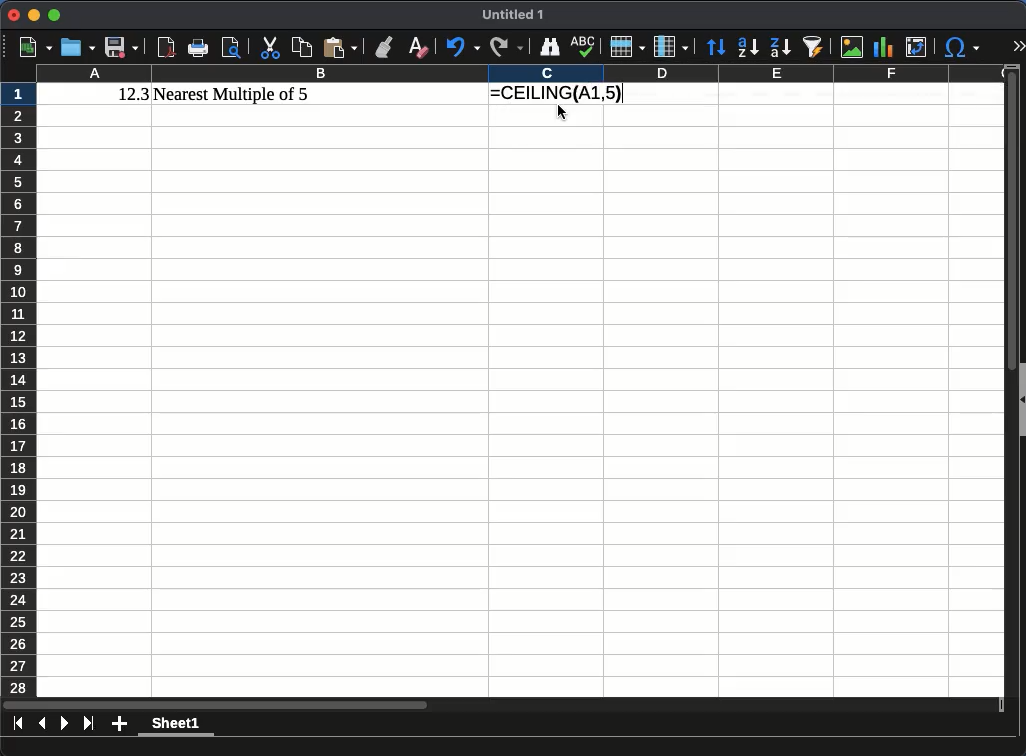  Describe the element at coordinates (961, 47) in the screenshot. I see `special character` at that location.